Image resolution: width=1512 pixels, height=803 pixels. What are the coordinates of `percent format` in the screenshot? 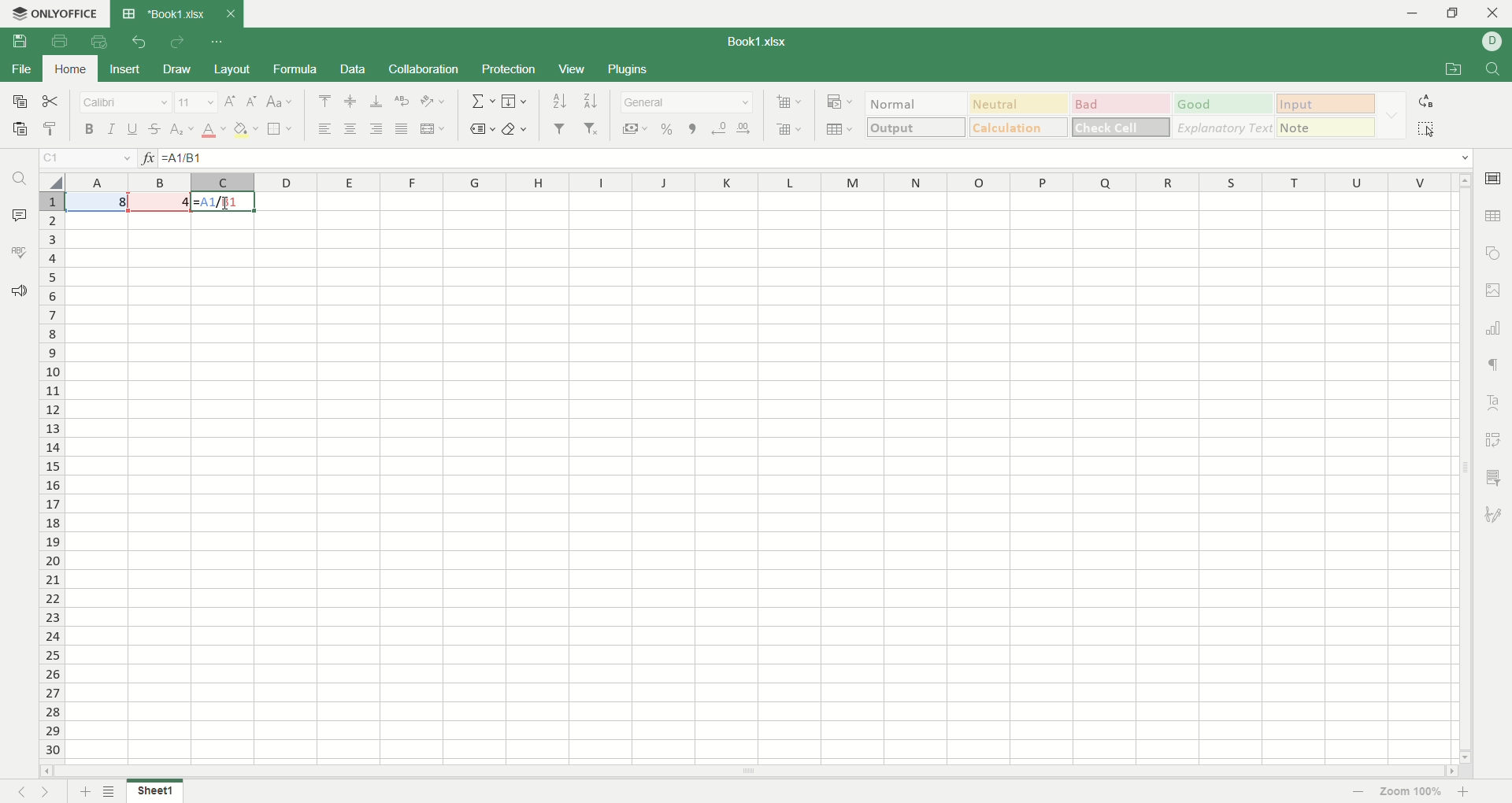 It's located at (669, 129).